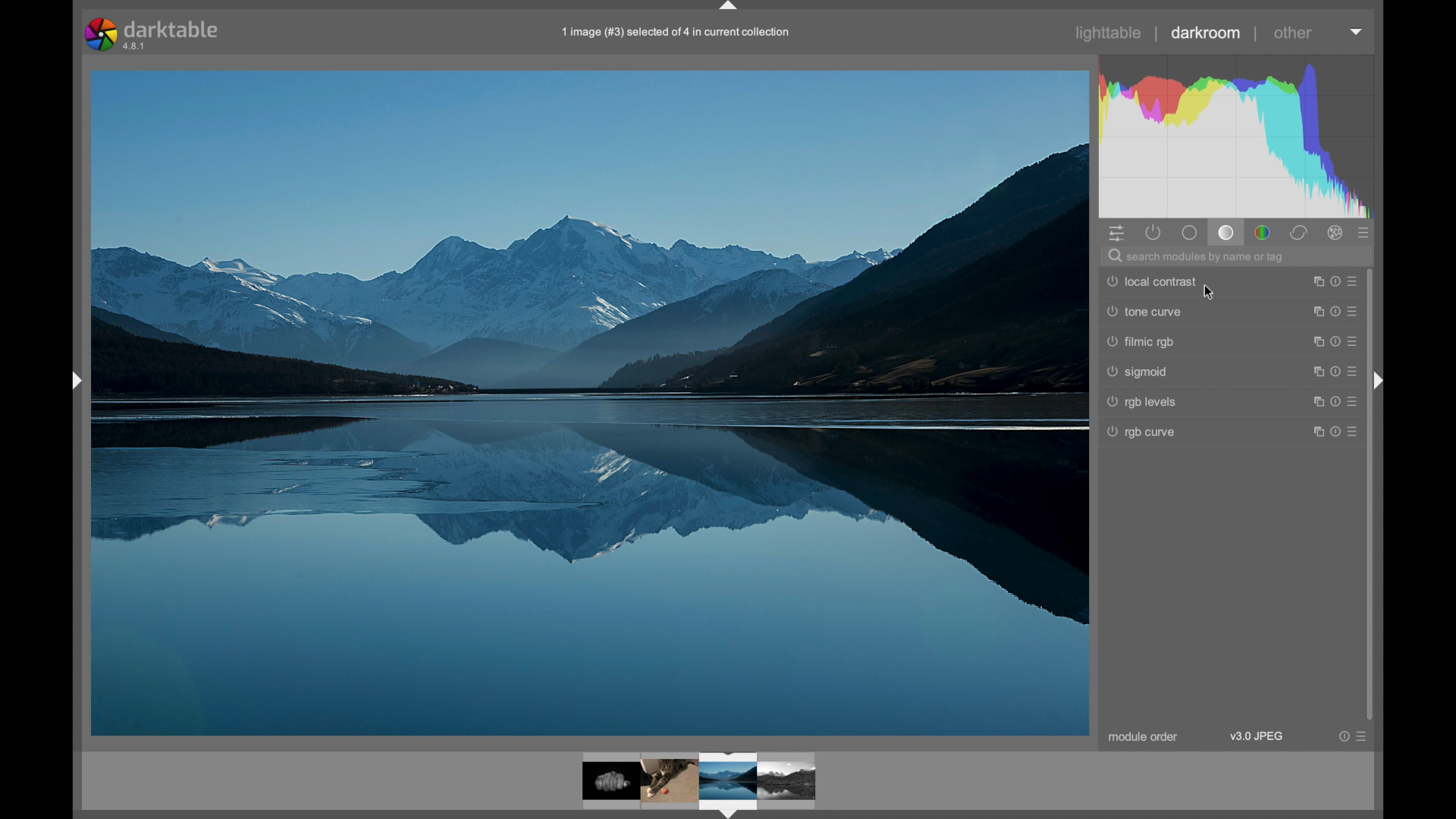 The image size is (1456, 819). What do you see at coordinates (74, 382) in the screenshot?
I see `drag handle` at bounding box center [74, 382].